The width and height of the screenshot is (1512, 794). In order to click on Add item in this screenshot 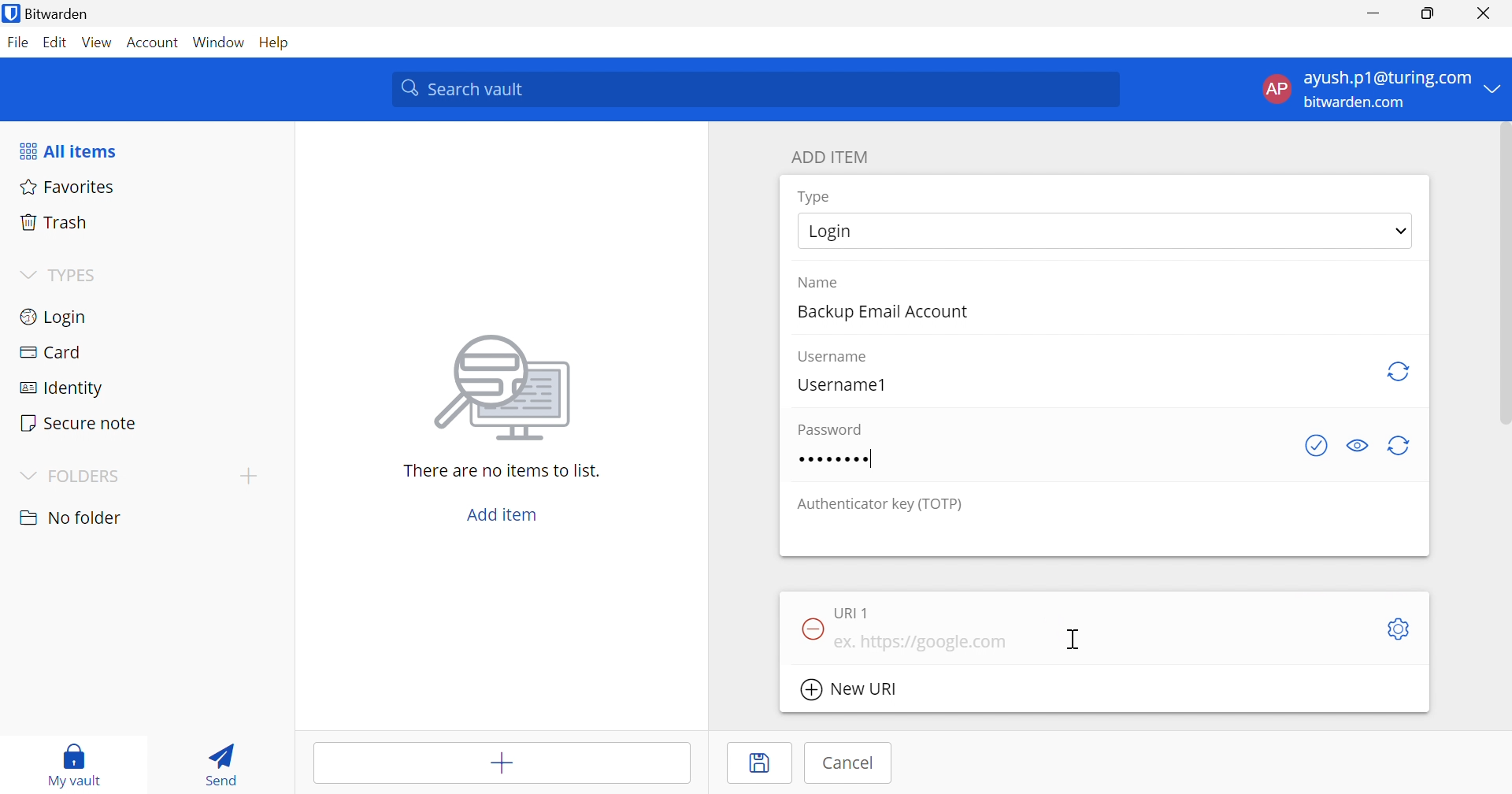, I will do `click(503, 513)`.